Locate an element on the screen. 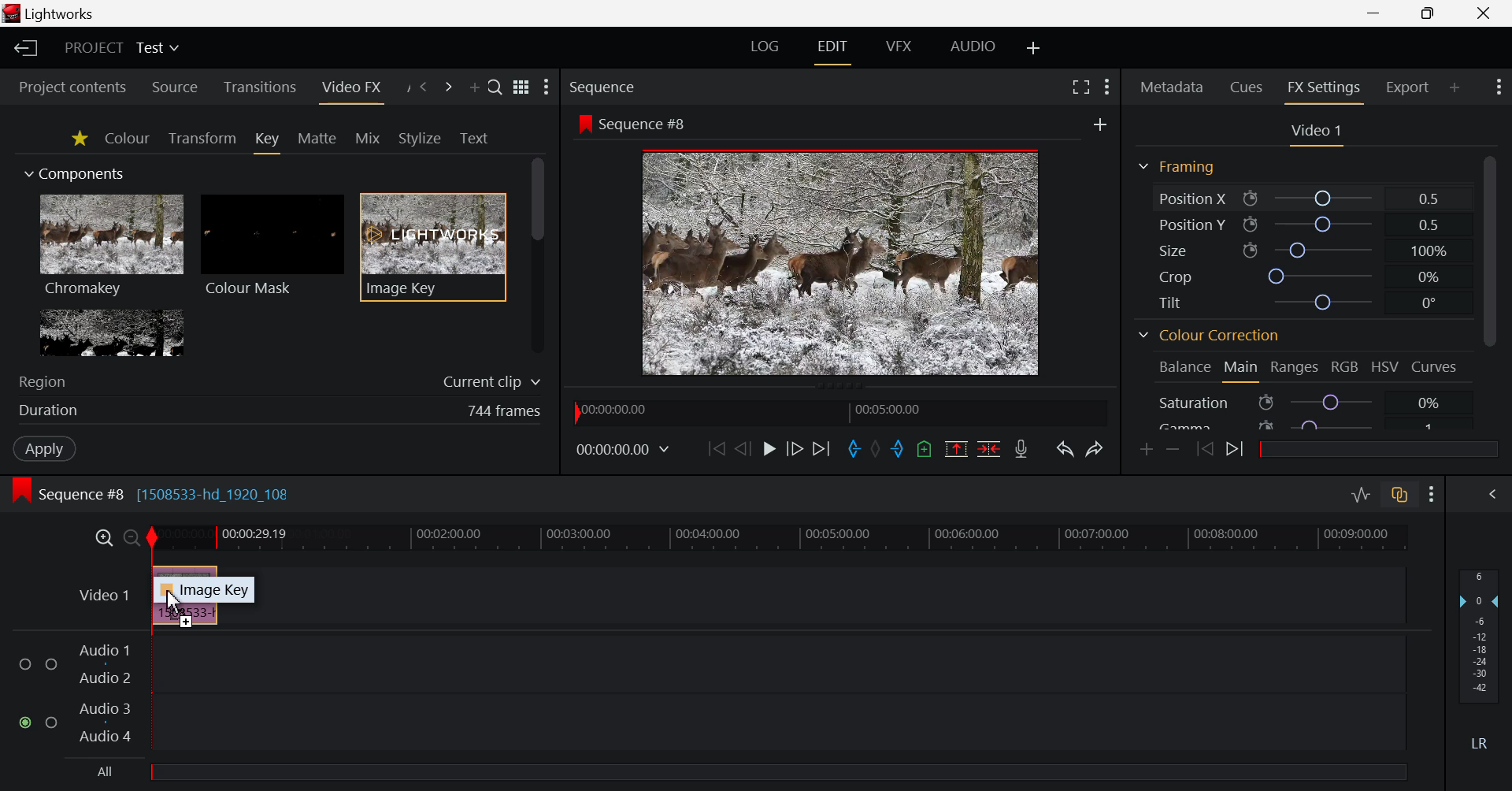  Show Audio Mix is located at coordinates (1490, 494).